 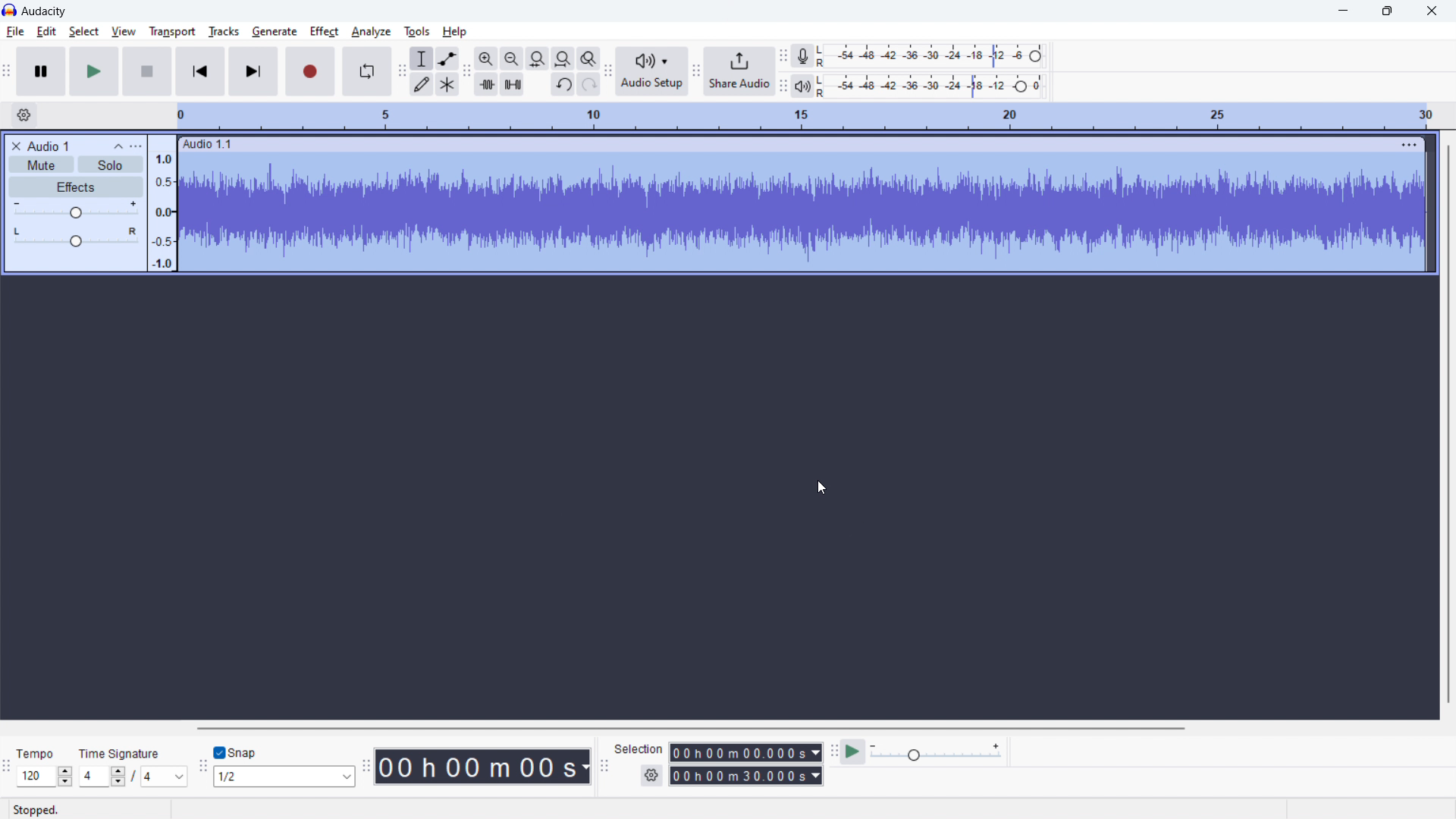 I want to click on share audio, so click(x=739, y=71).